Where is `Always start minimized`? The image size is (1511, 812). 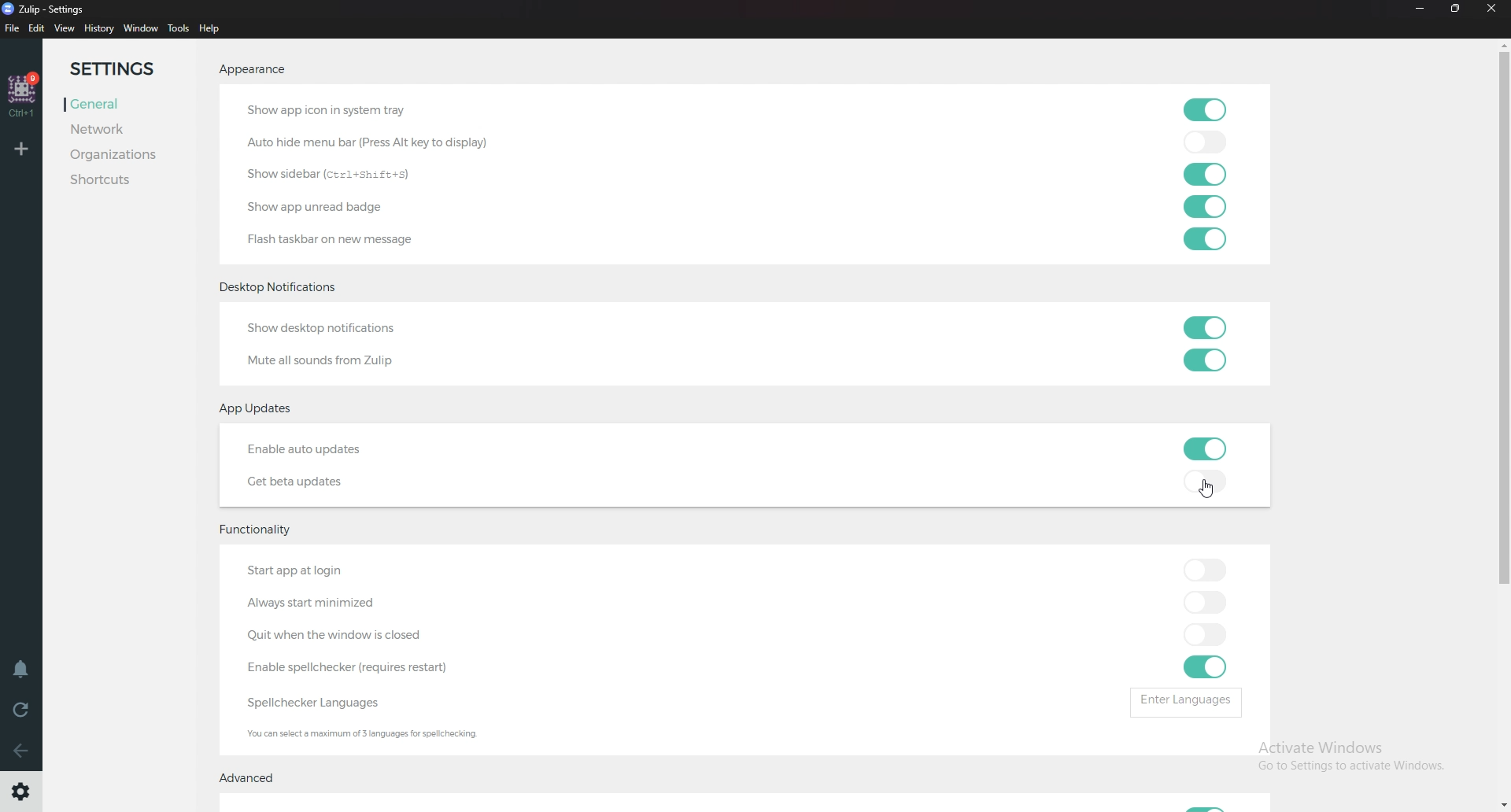
Always start minimized is located at coordinates (314, 603).